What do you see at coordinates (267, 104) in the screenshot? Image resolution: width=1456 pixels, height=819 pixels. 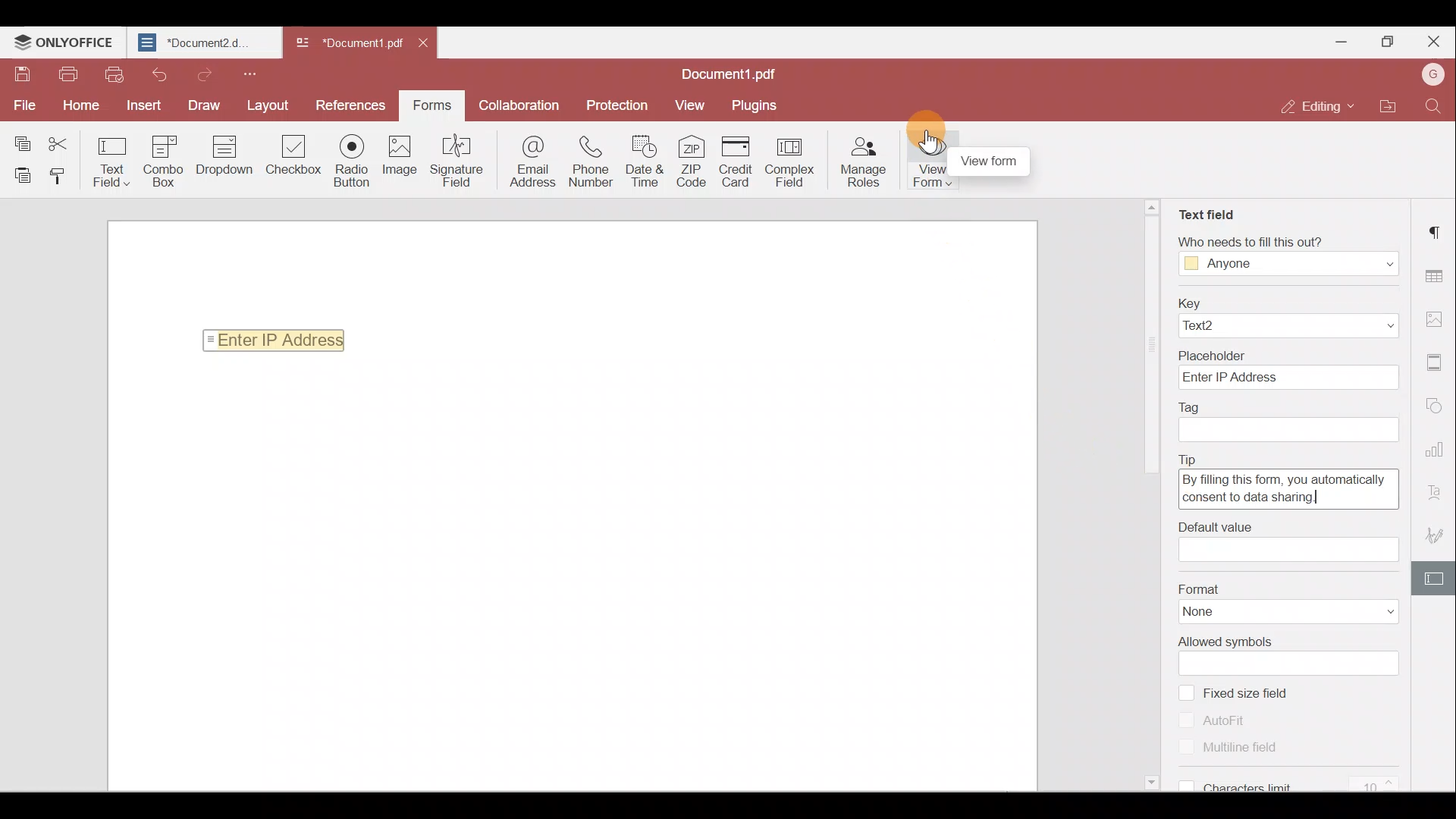 I see `Layout` at bounding box center [267, 104].